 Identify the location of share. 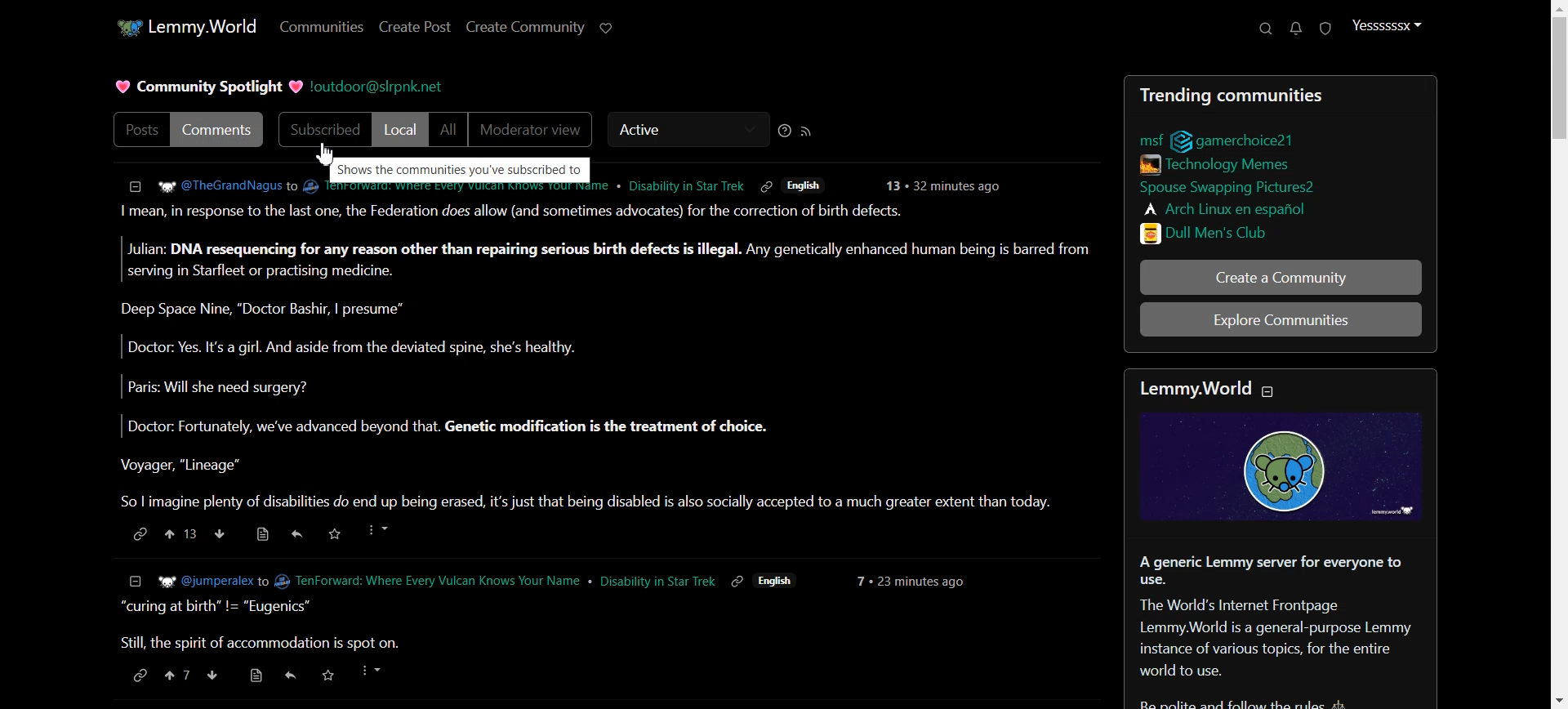
(288, 674).